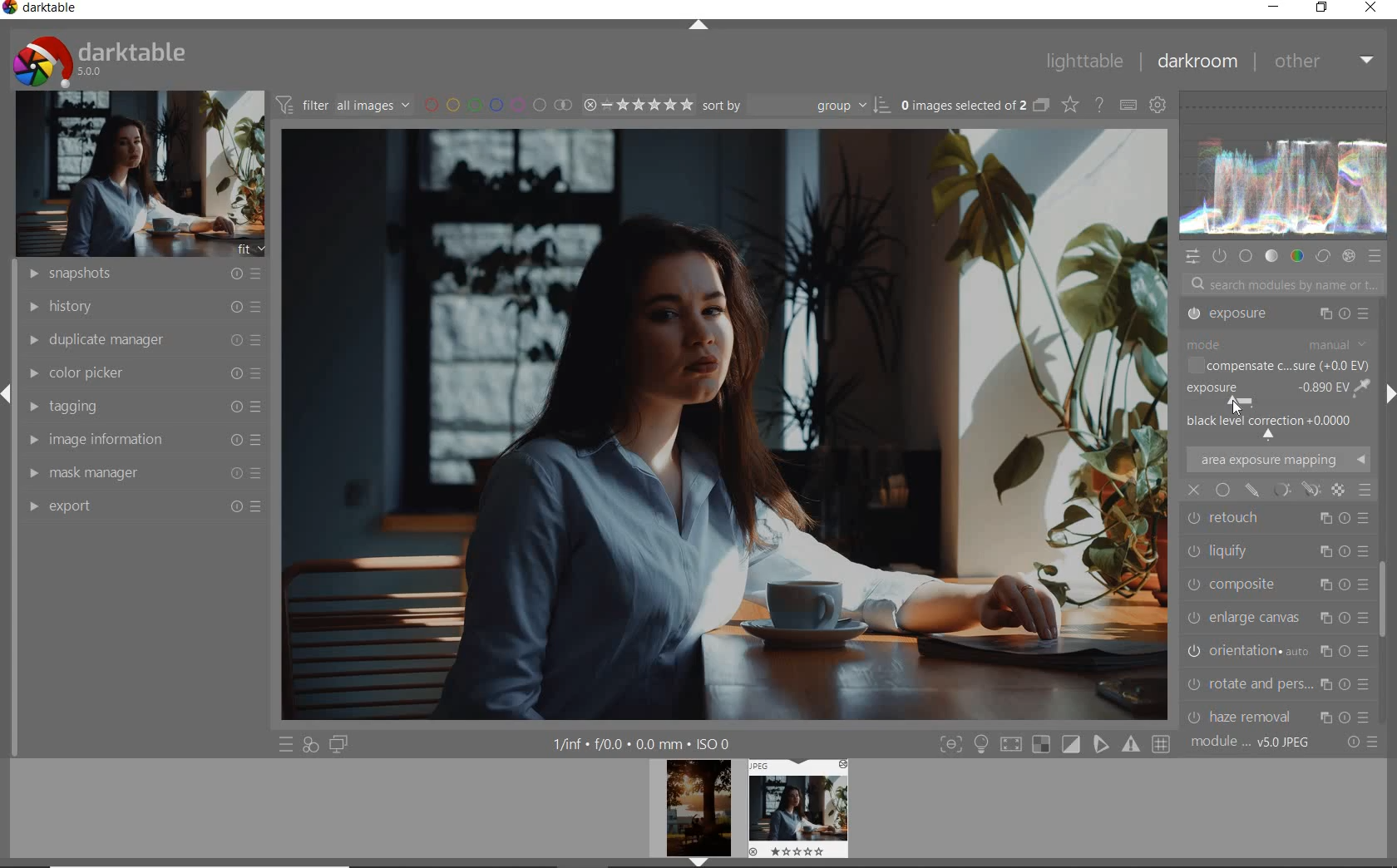 Image resolution: width=1397 pixels, height=868 pixels. I want to click on EFFECT, so click(1348, 256).